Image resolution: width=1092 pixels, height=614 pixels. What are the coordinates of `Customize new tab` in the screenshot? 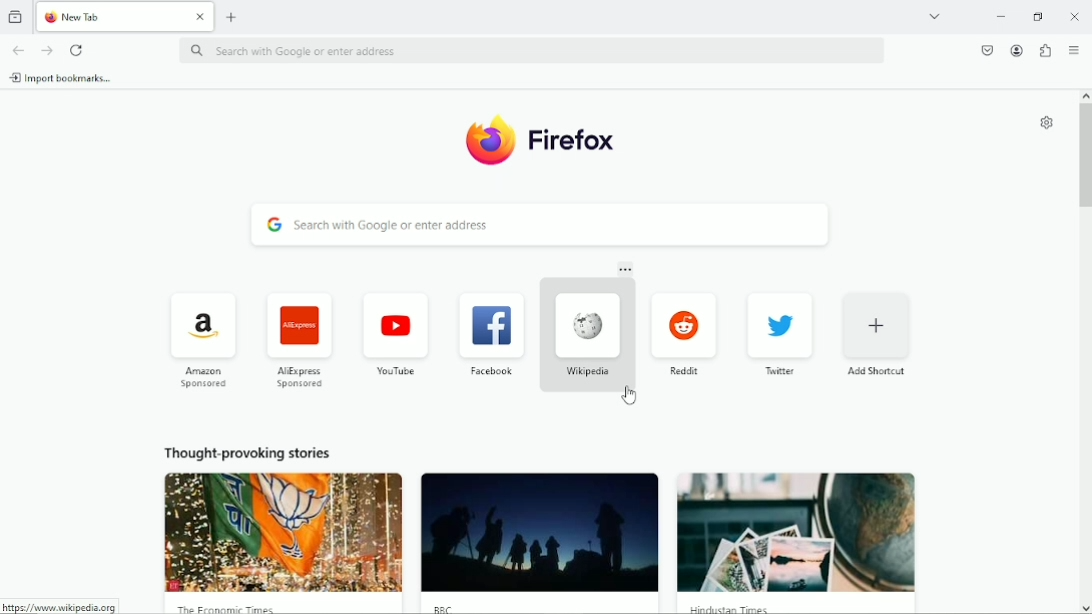 It's located at (1047, 122).